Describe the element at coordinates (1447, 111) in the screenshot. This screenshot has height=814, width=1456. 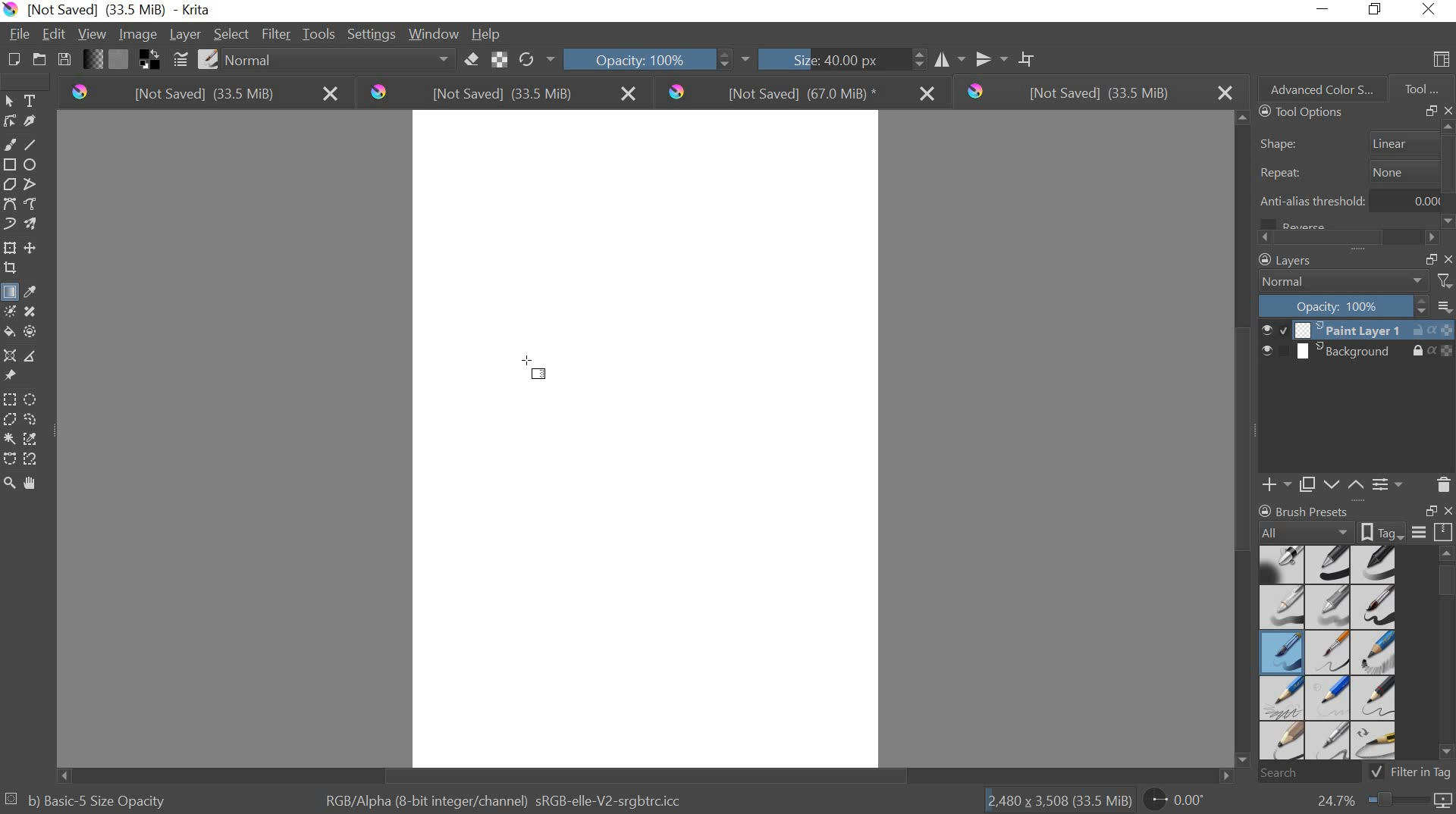
I see `CLOSE` at that location.